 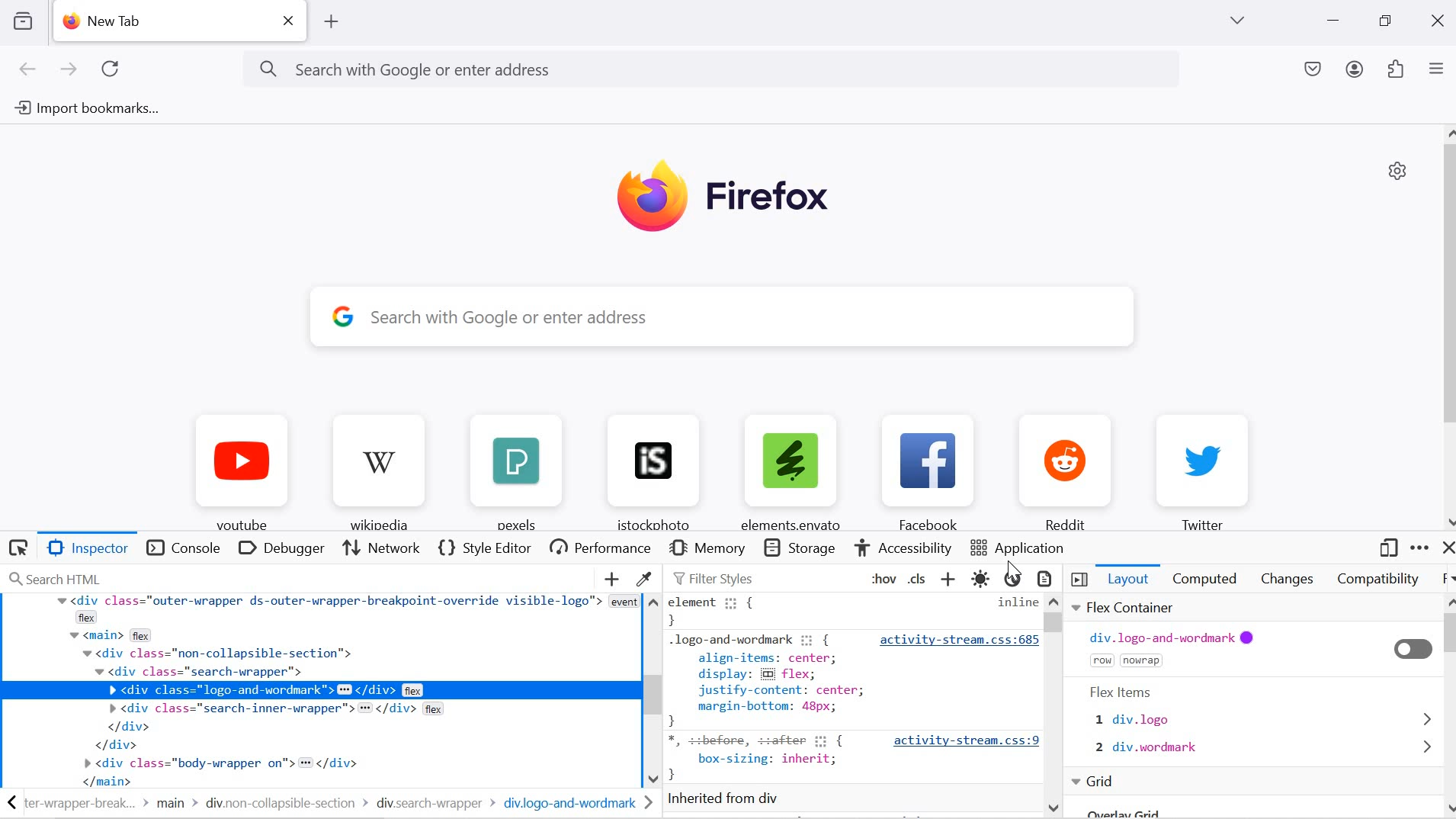 I want to click on activity-stream.css:685, so click(x=960, y=642).